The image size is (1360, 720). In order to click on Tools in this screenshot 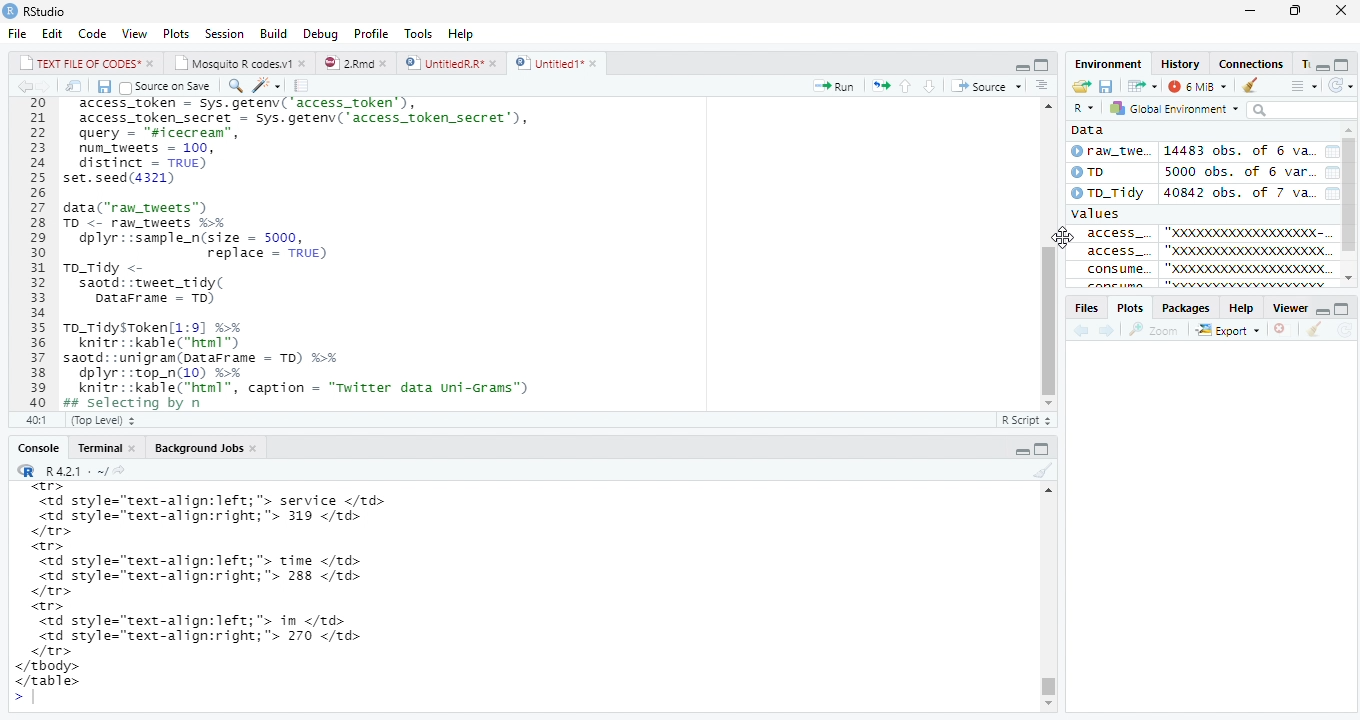, I will do `click(416, 32)`.